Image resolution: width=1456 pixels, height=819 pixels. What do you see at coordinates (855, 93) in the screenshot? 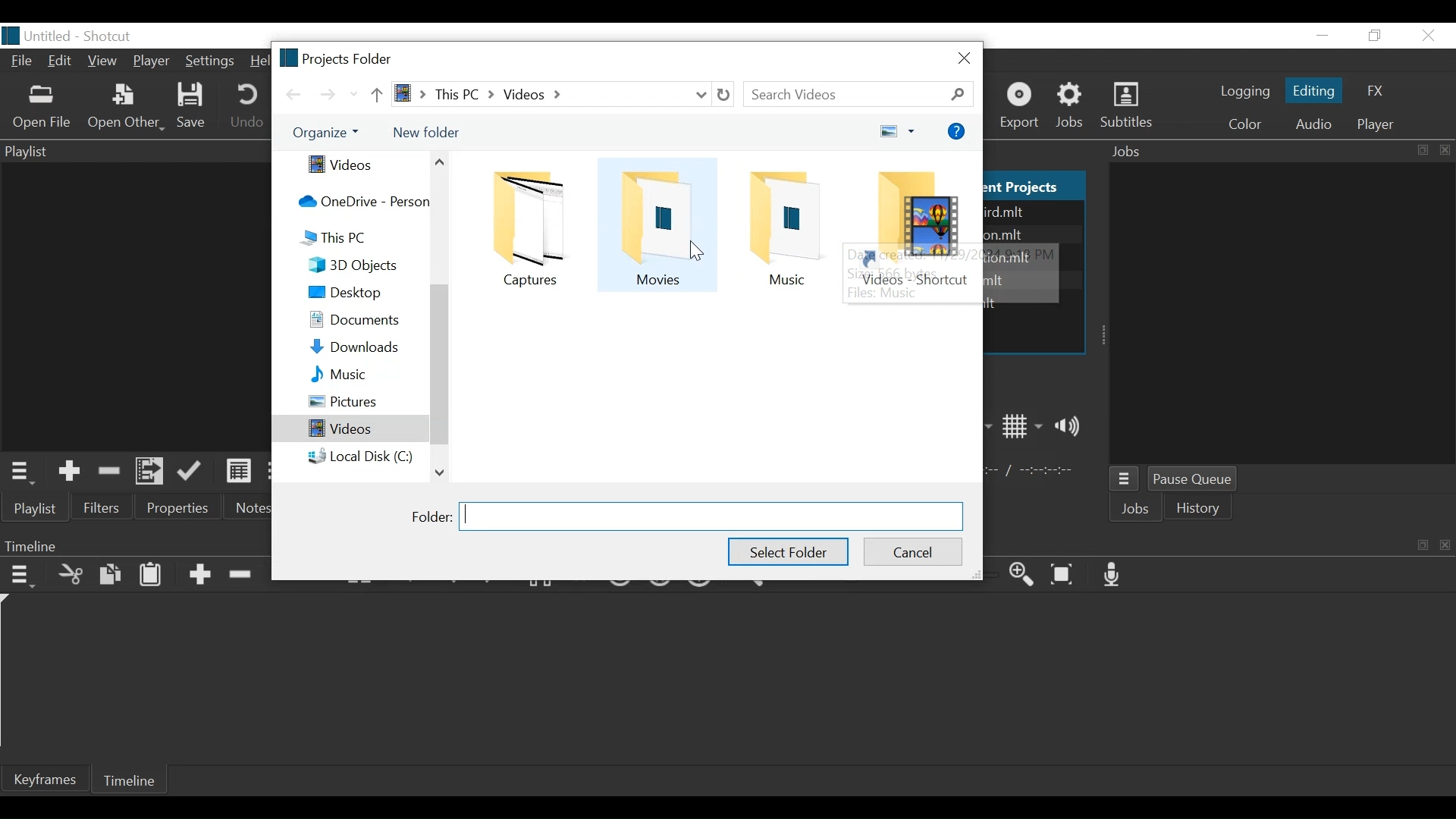
I see `Search bar` at bounding box center [855, 93].